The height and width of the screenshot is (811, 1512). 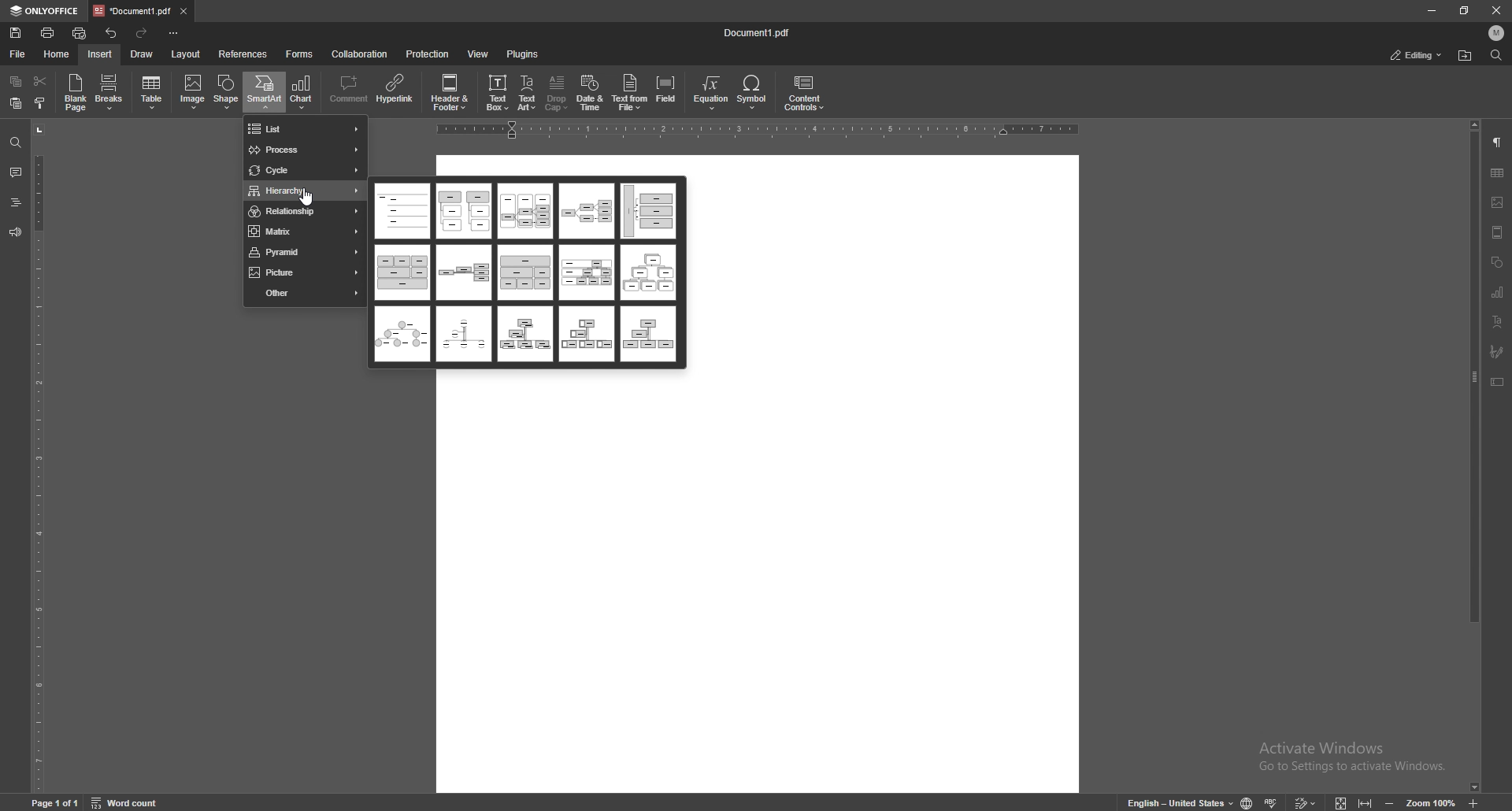 What do you see at coordinates (57, 54) in the screenshot?
I see `home` at bounding box center [57, 54].